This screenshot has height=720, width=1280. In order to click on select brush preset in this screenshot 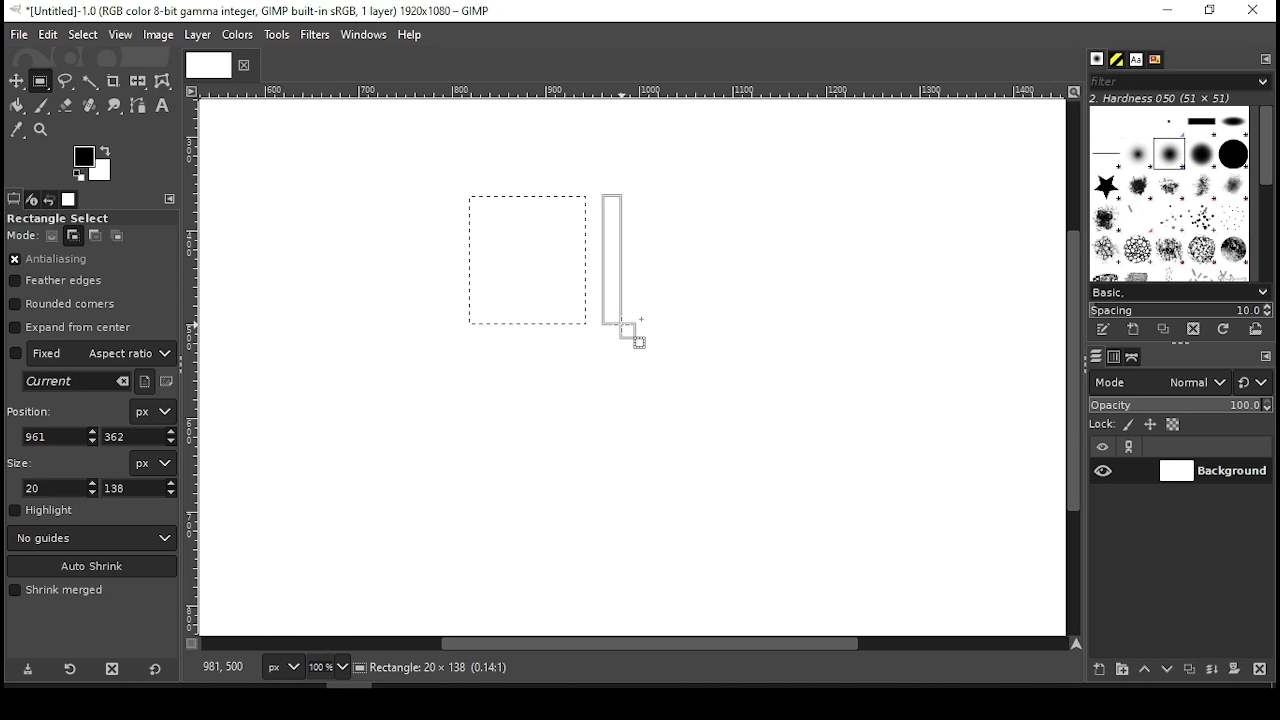, I will do `click(1182, 291)`.